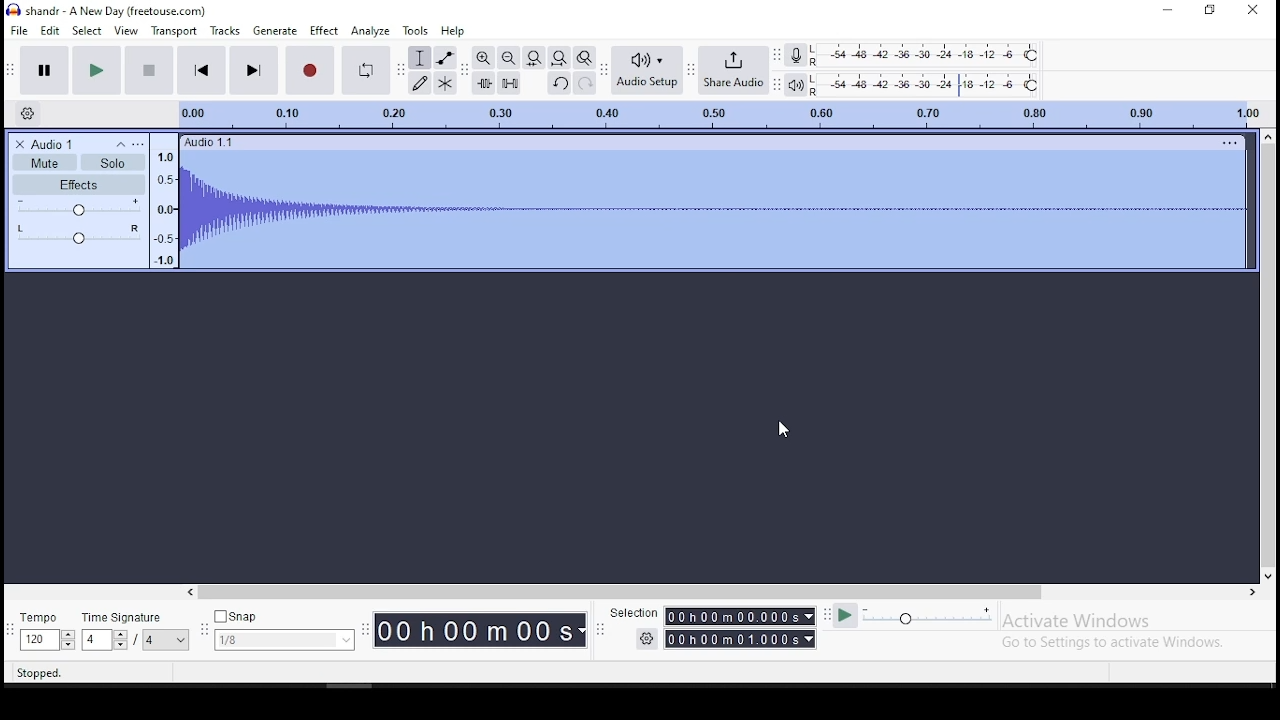  Describe the element at coordinates (275, 31) in the screenshot. I see `generate` at that location.